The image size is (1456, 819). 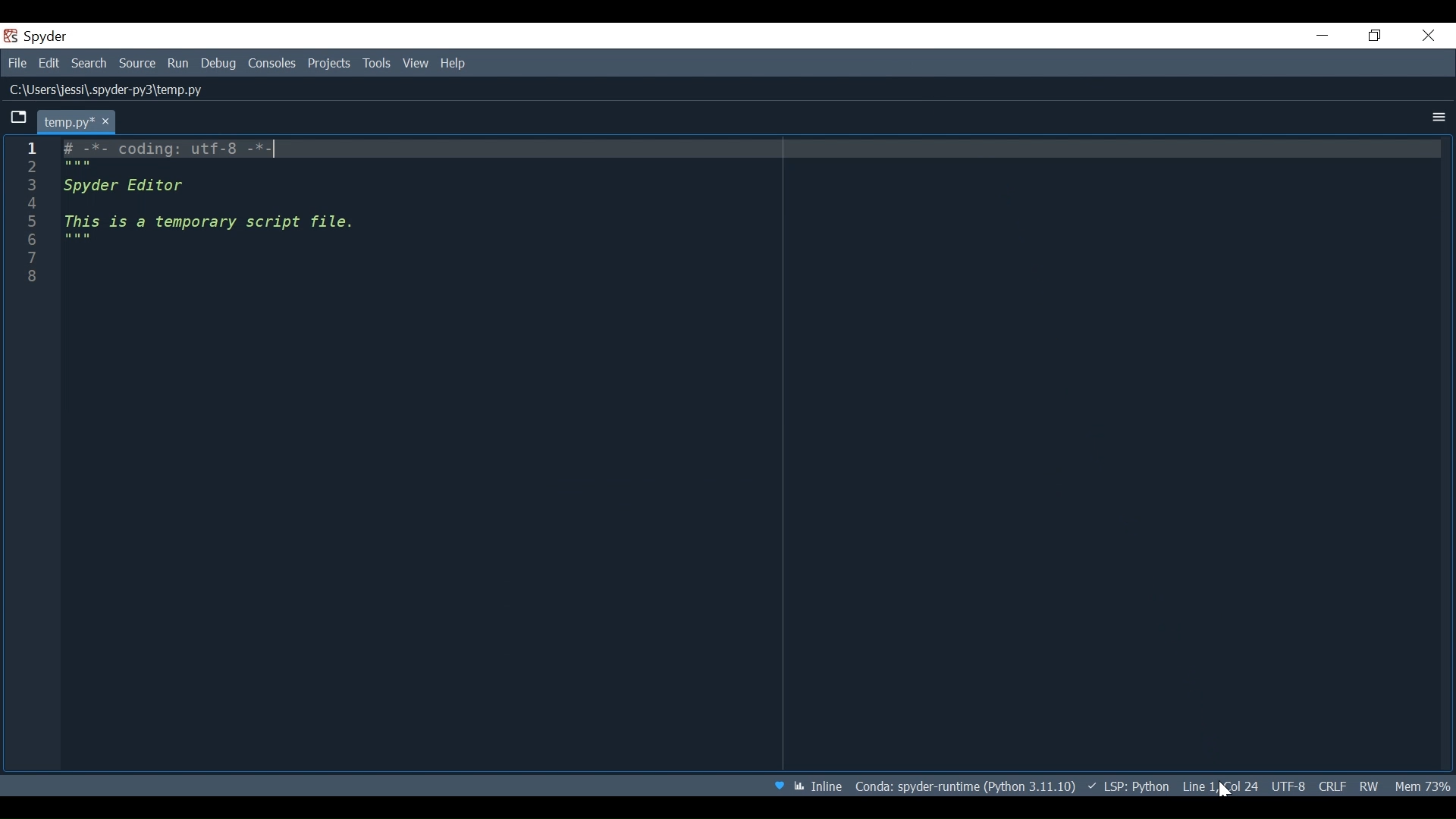 What do you see at coordinates (1367, 786) in the screenshot?
I see `File permission` at bounding box center [1367, 786].